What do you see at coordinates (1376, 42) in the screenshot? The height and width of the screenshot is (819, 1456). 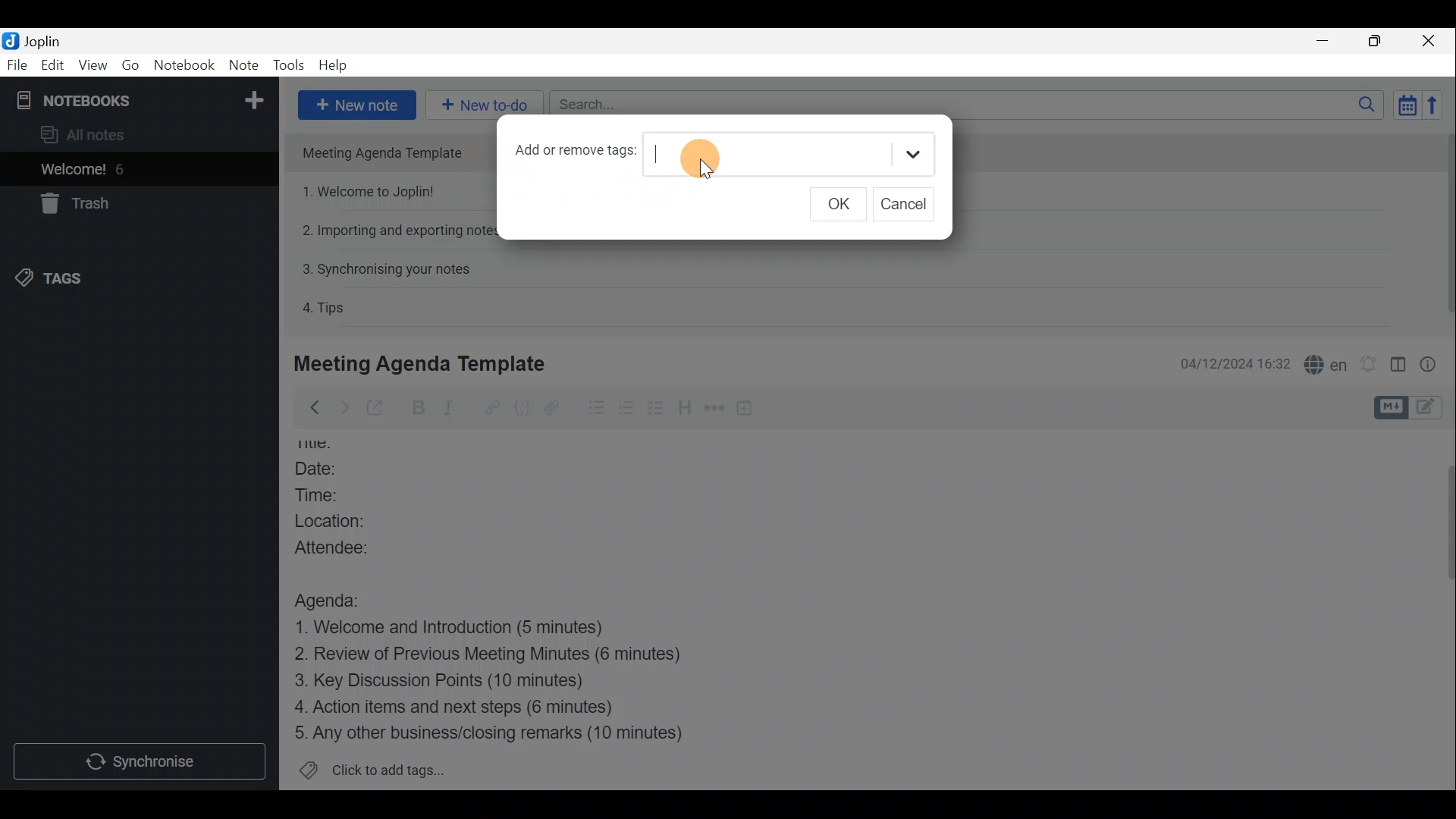 I see `Maximise` at bounding box center [1376, 42].